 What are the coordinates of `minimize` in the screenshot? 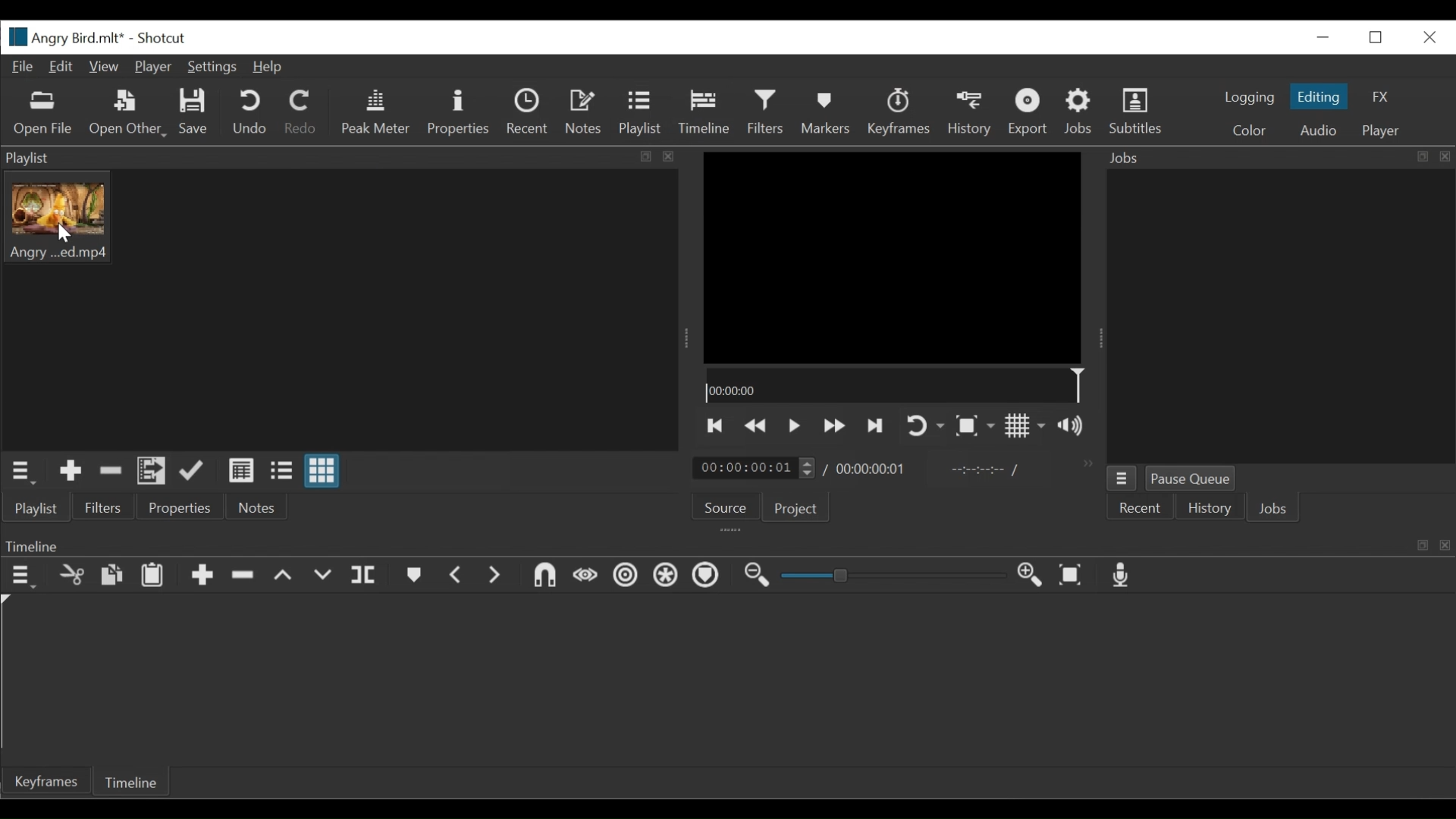 It's located at (1323, 37).